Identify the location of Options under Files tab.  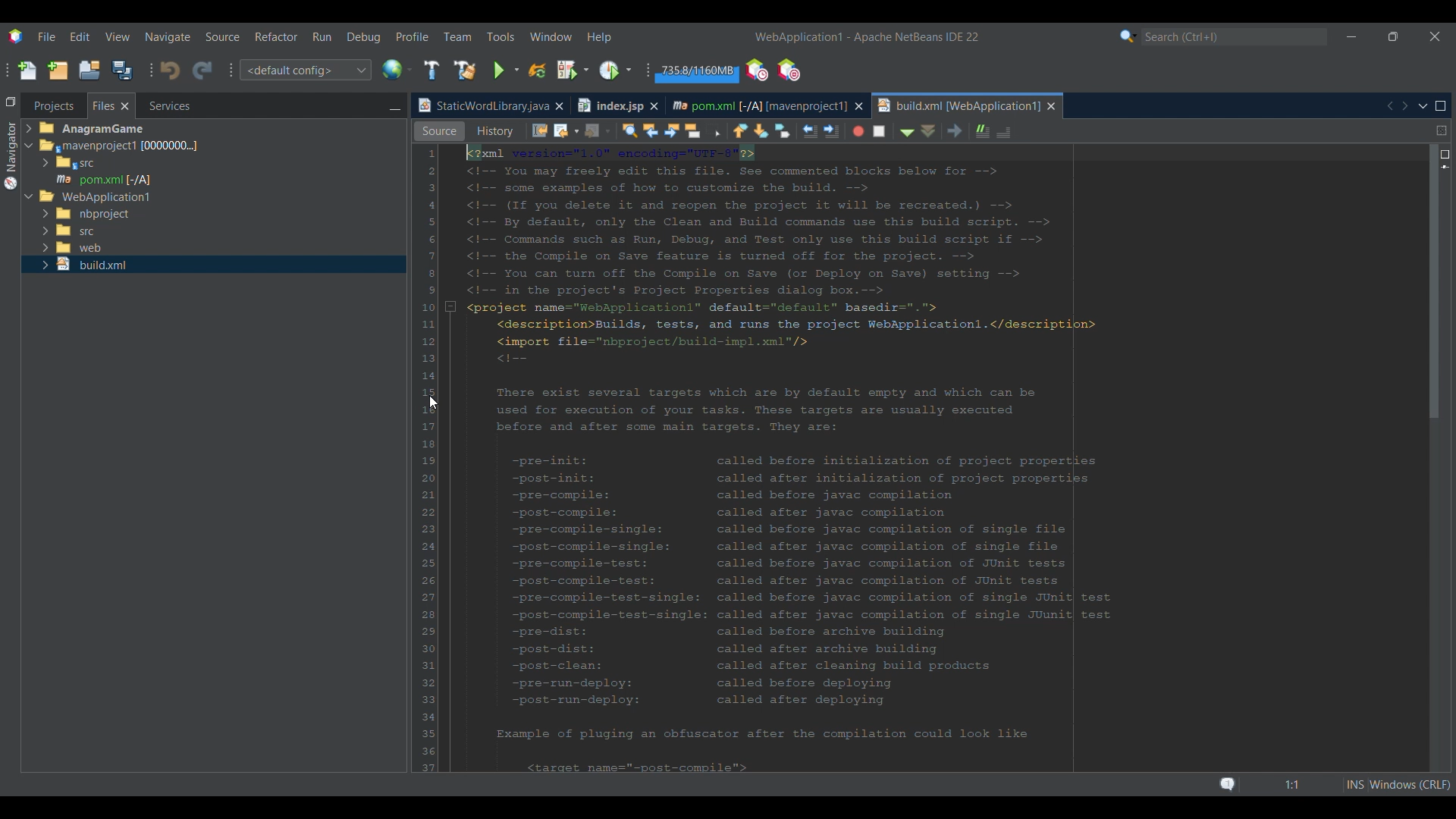
(107, 165).